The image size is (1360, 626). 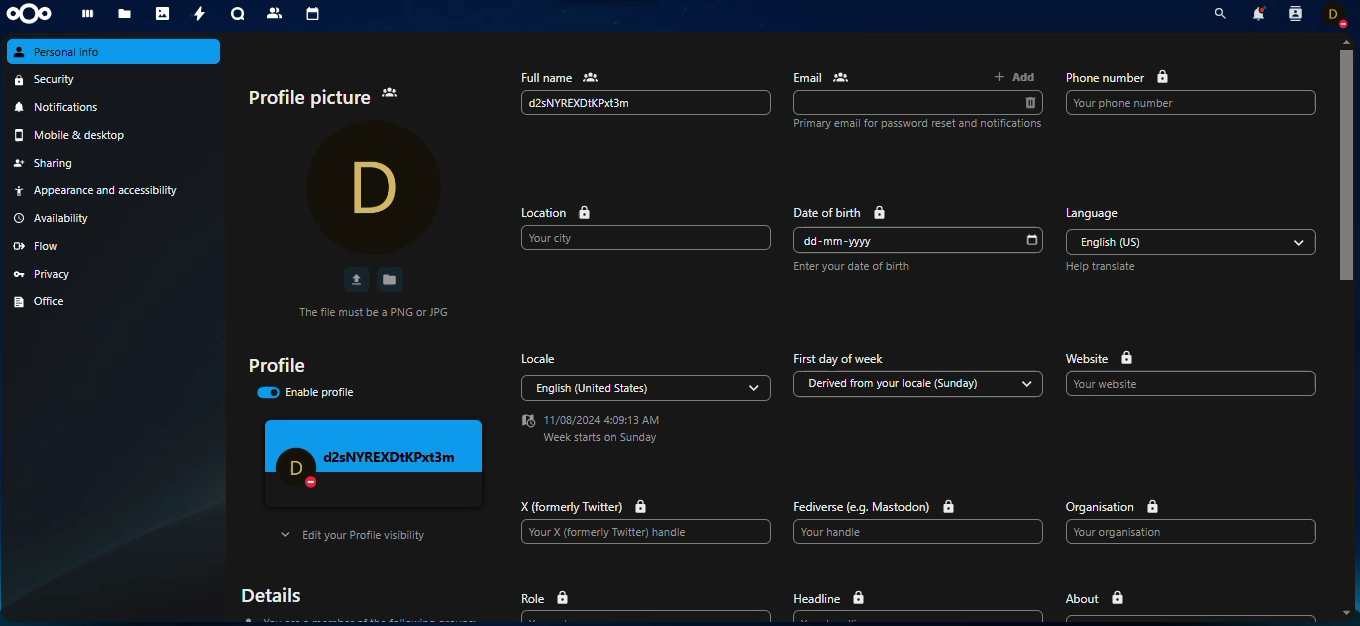 I want to click on flow, so click(x=113, y=246).